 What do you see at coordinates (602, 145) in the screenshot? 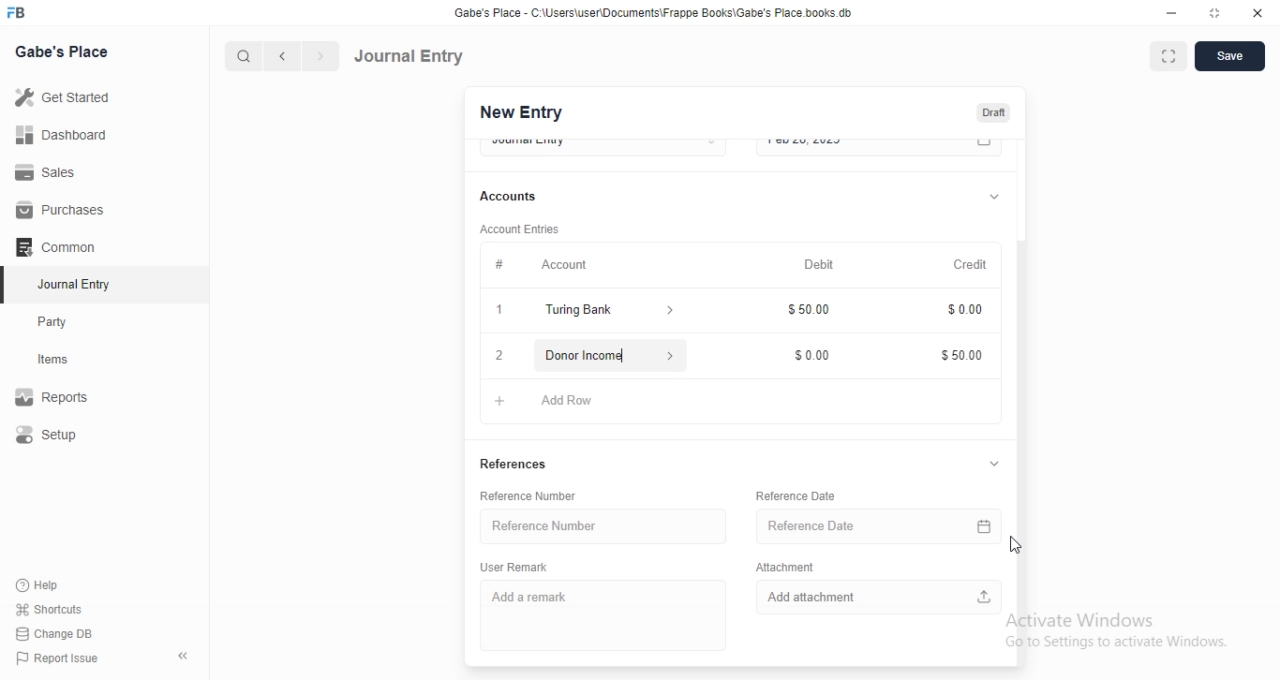
I see `Entry Type` at bounding box center [602, 145].